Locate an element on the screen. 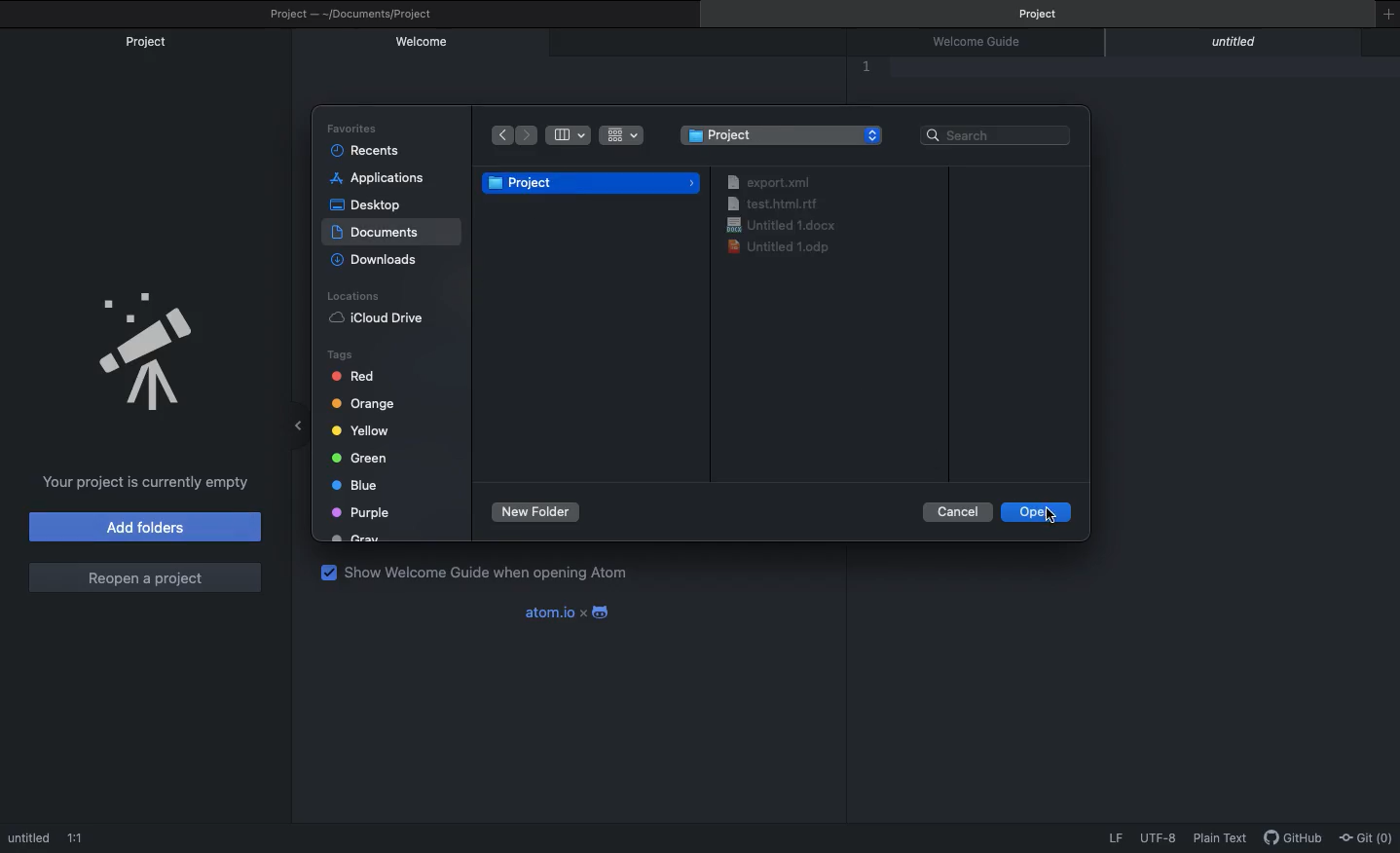 The image size is (1400, 853). Add folders is located at coordinates (145, 527).